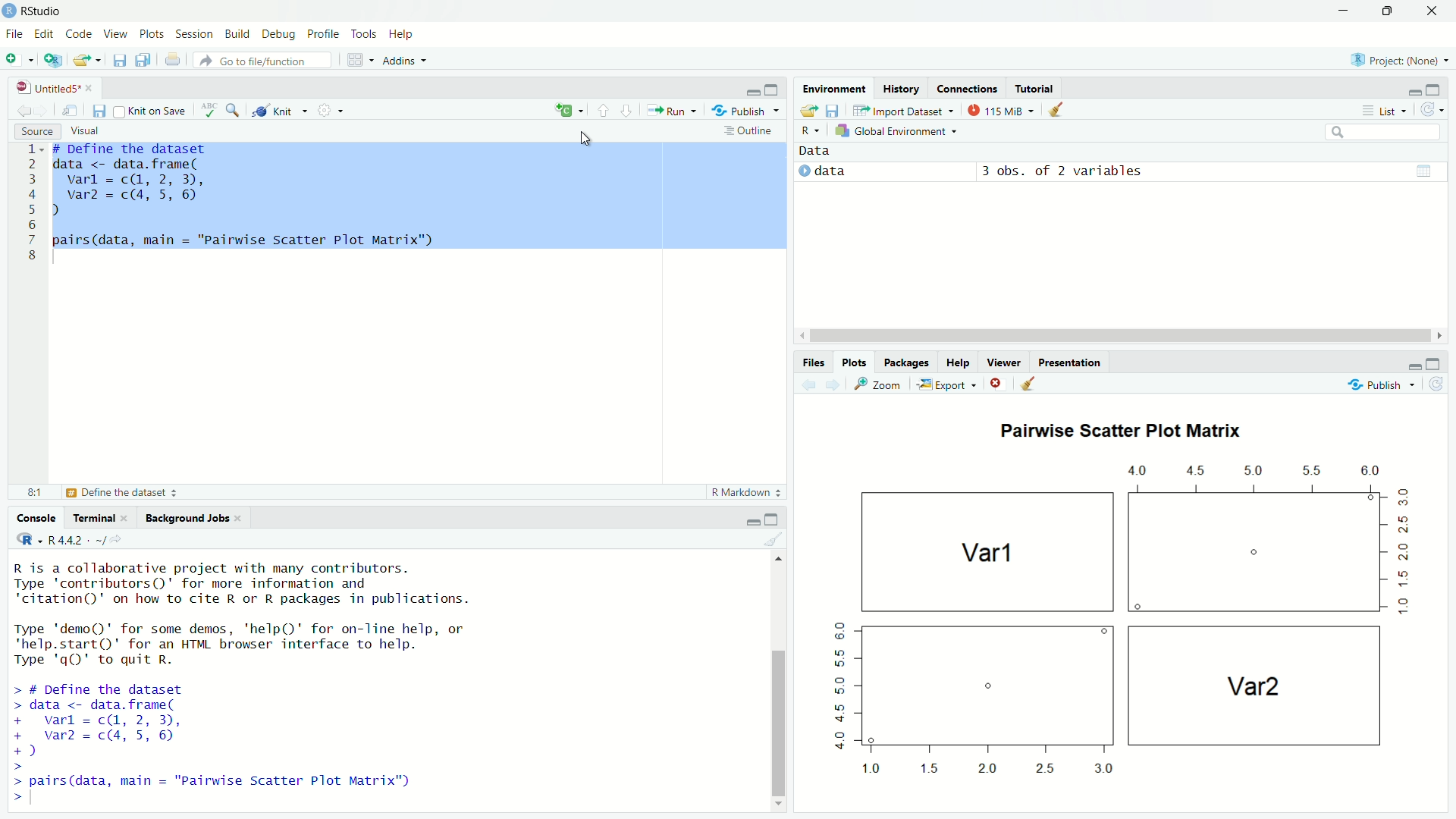 The height and width of the screenshot is (819, 1456). What do you see at coordinates (1436, 384) in the screenshot?
I see `Refresh current plot` at bounding box center [1436, 384].